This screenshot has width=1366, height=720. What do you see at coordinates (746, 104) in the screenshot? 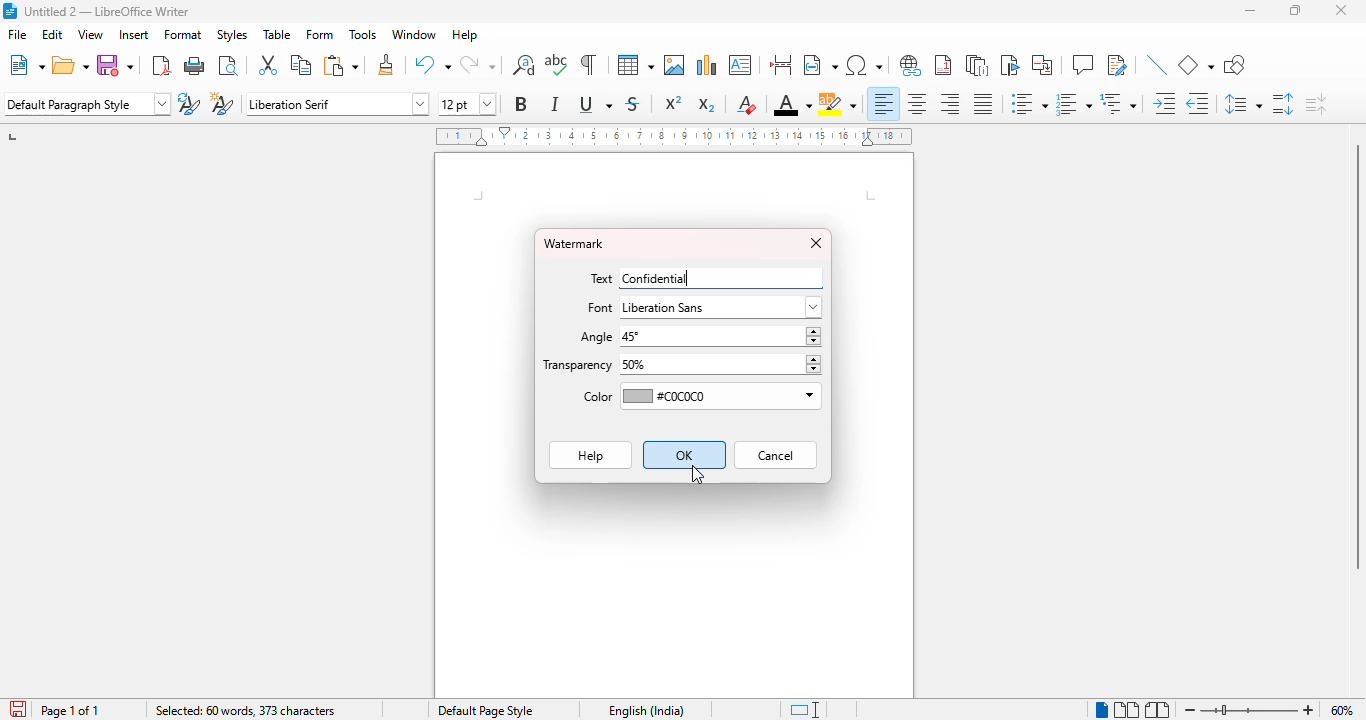
I see `clear direct formatting` at bounding box center [746, 104].